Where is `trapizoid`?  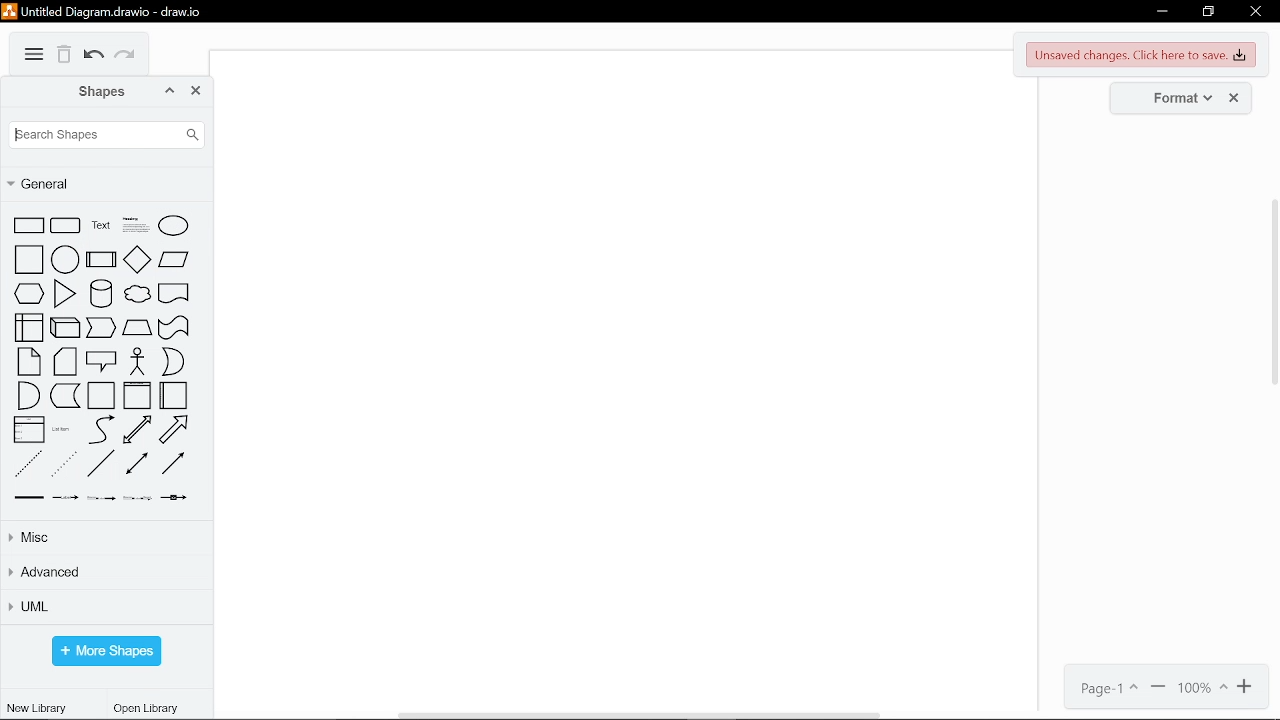
trapizoid is located at coordinates (137, 329).